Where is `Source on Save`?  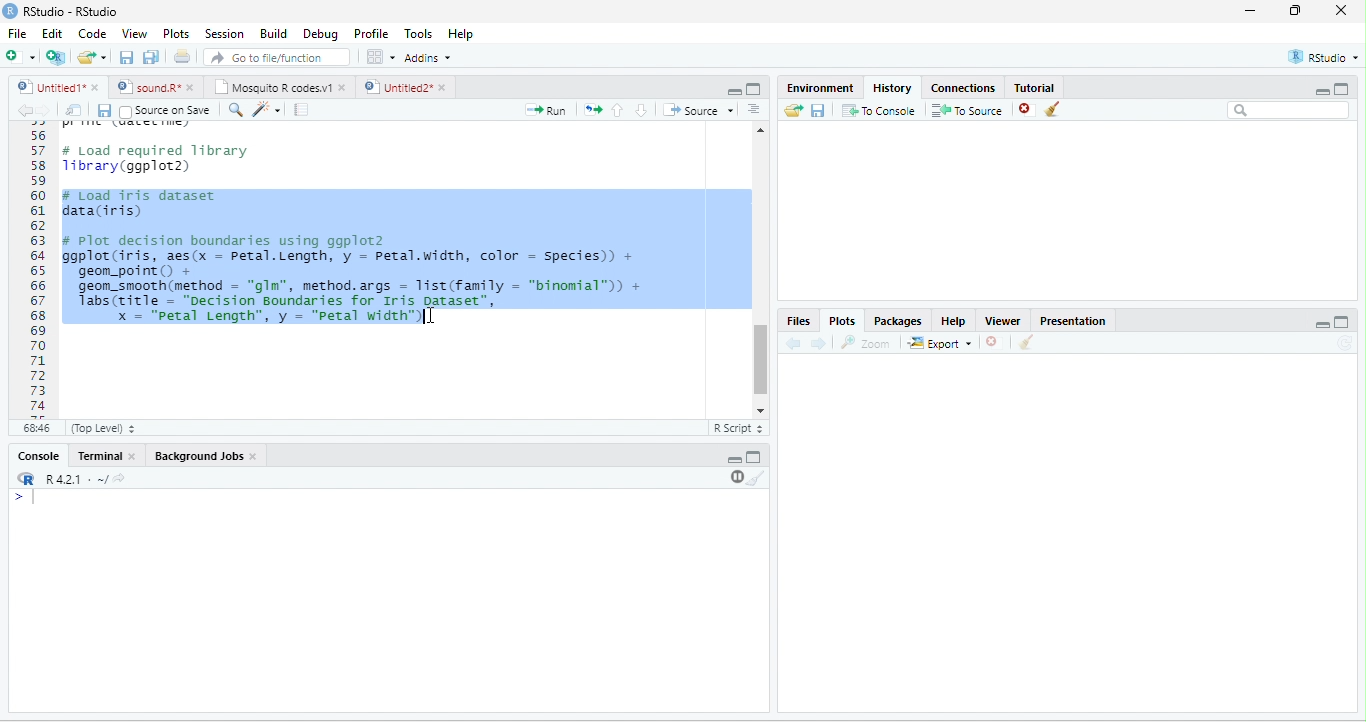 Source on Save is located at coordinates (164, 111).